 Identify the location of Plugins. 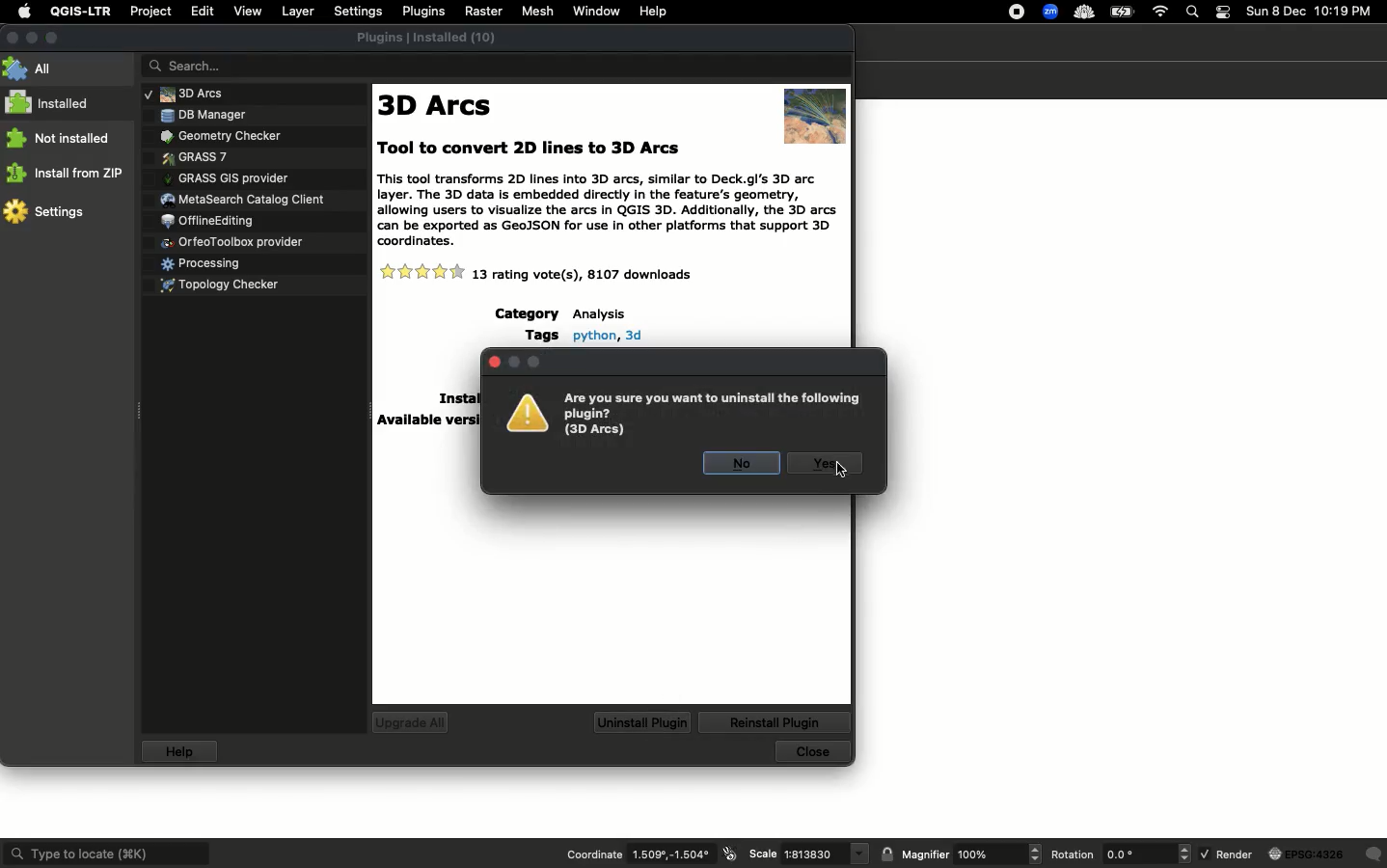
(232, 241).